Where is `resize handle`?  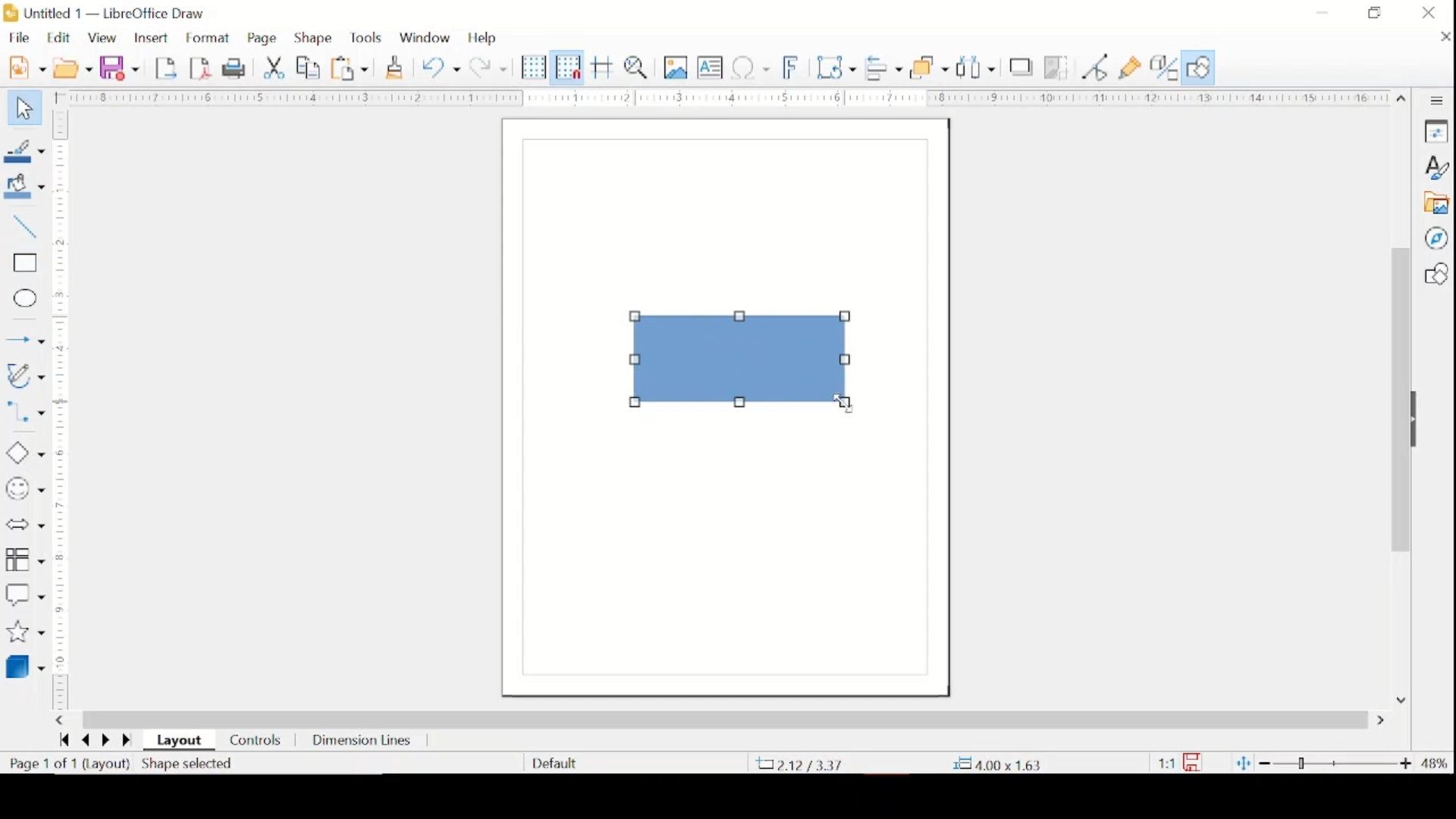
resize handle is located at coordinates (742, 403).